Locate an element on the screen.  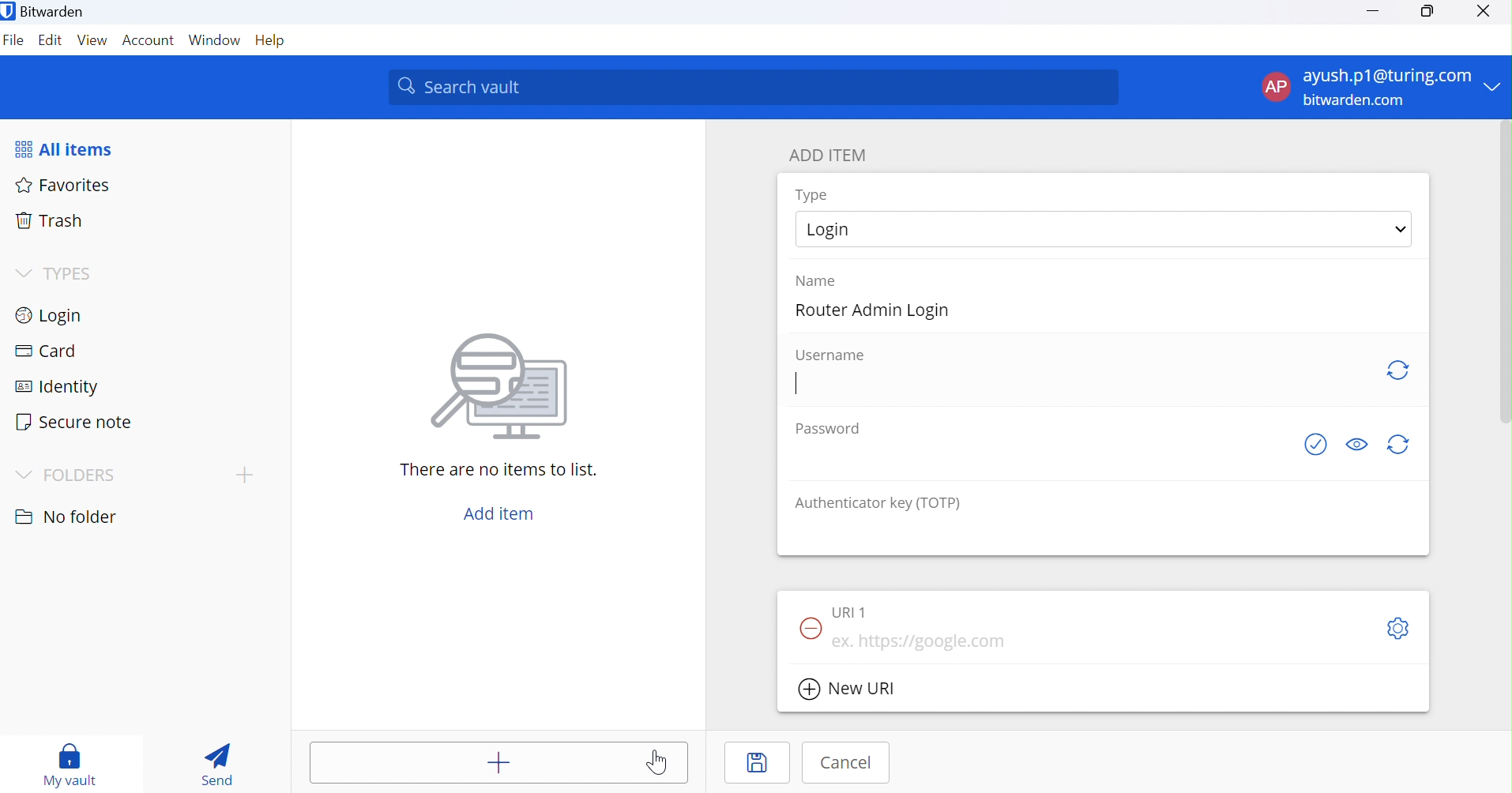
vertical scrollbar is located at coordinates (1506, 272).